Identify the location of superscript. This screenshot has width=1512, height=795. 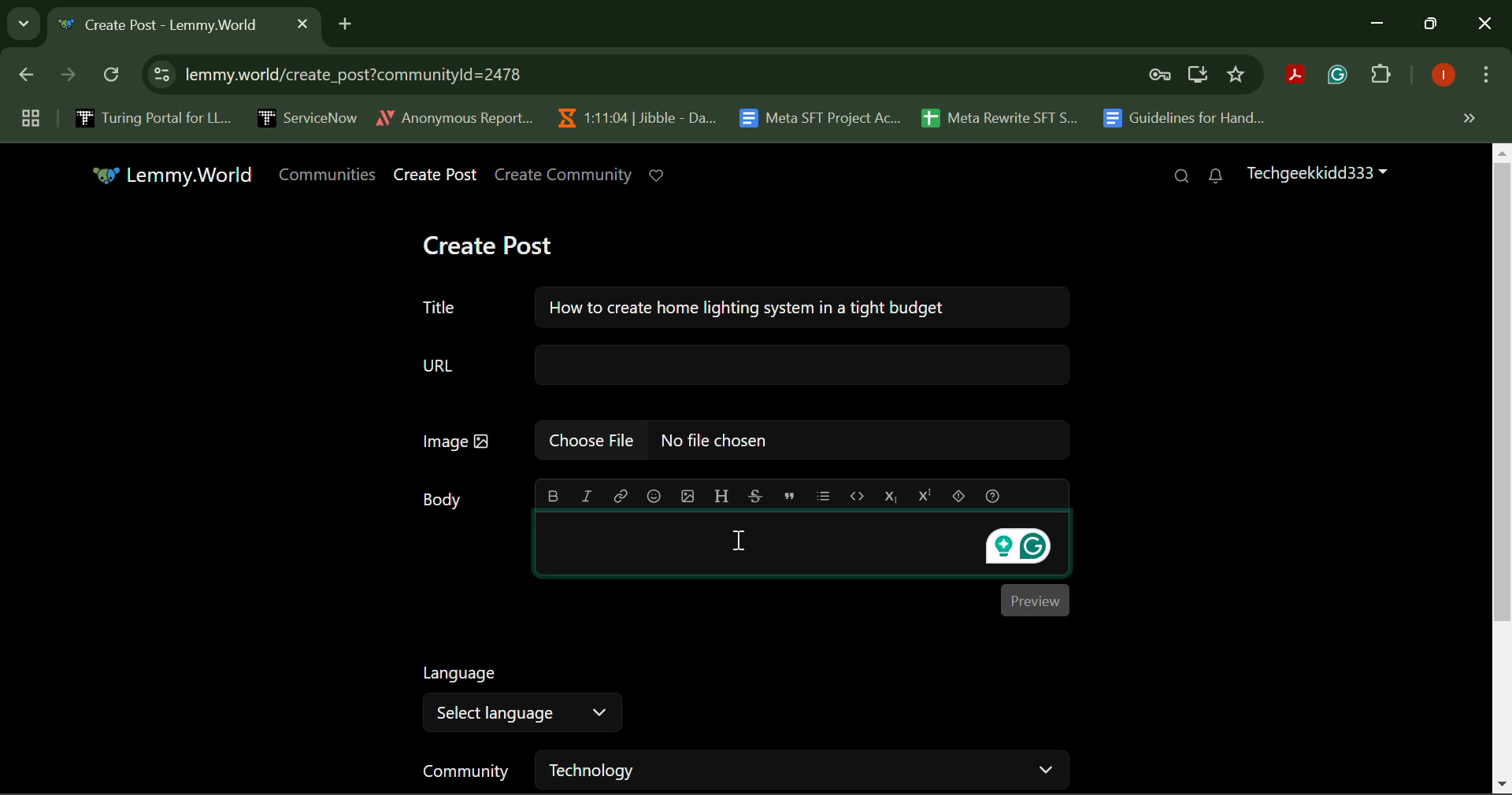
(922, 494).